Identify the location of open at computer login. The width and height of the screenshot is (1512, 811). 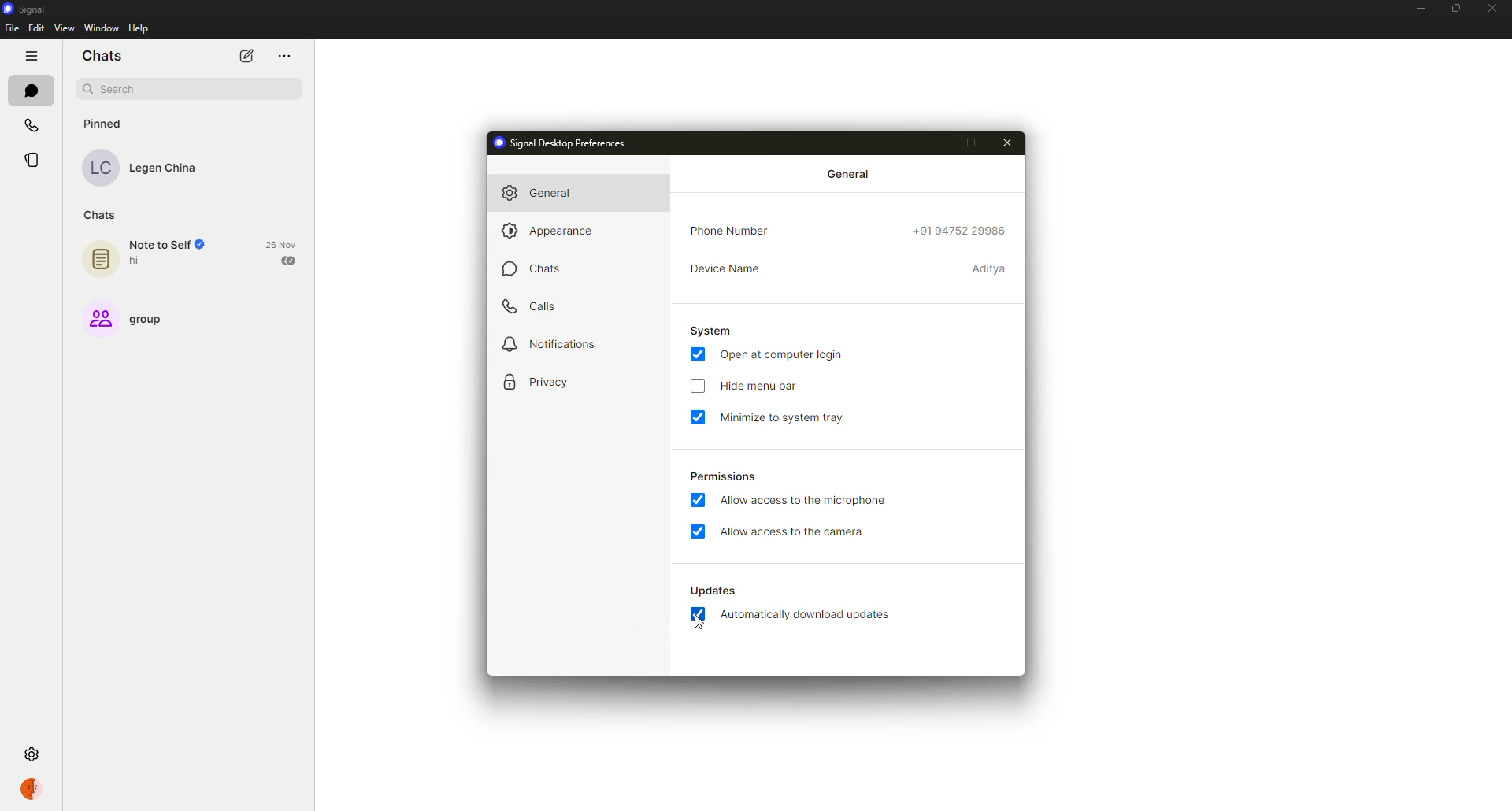
(783, 354).